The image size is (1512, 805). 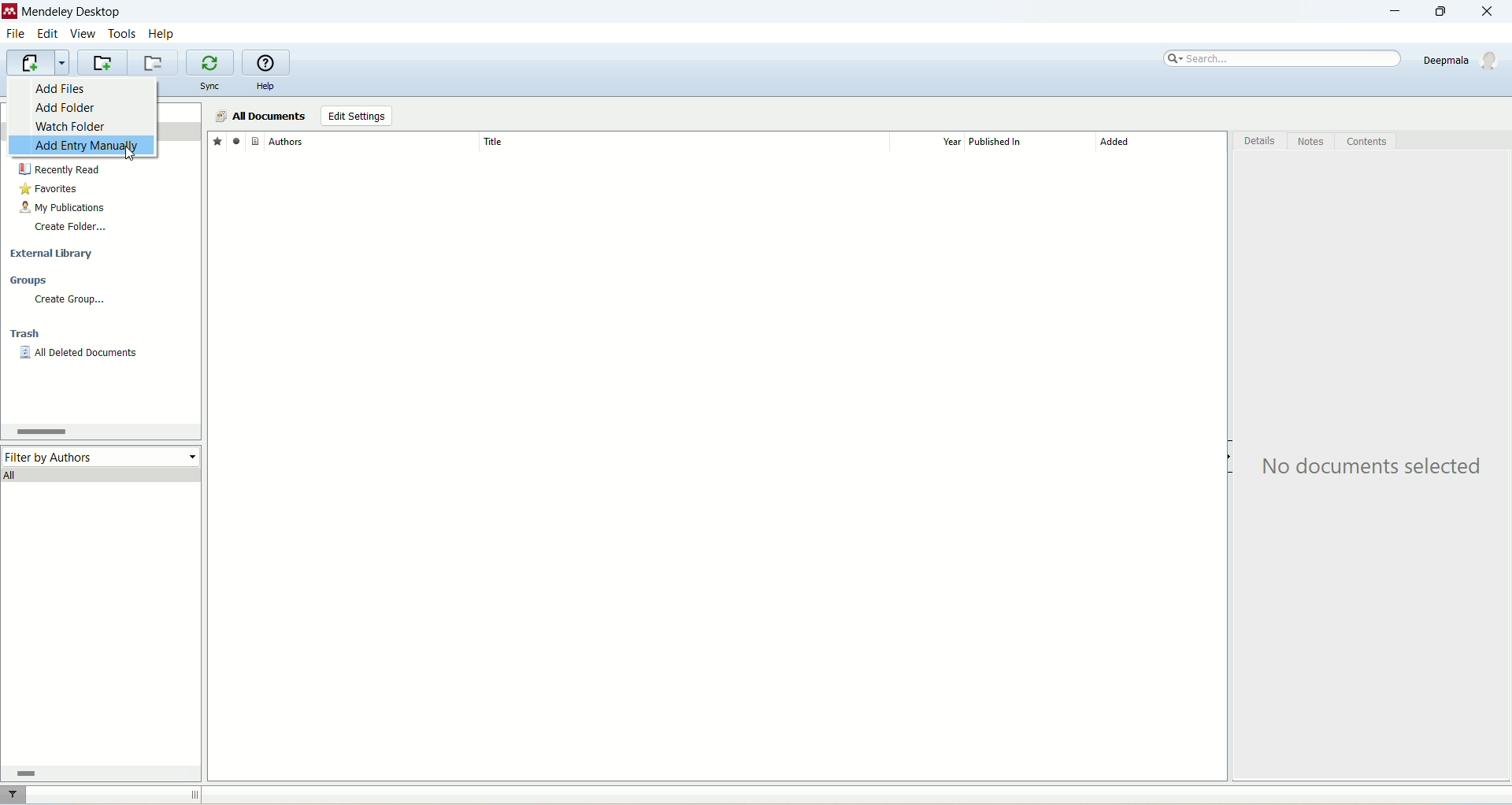 What do you see at coordinates (212, 63) in the screenshot?
I see `synchronize library with mendeley web` at bounding box center [212, 63].